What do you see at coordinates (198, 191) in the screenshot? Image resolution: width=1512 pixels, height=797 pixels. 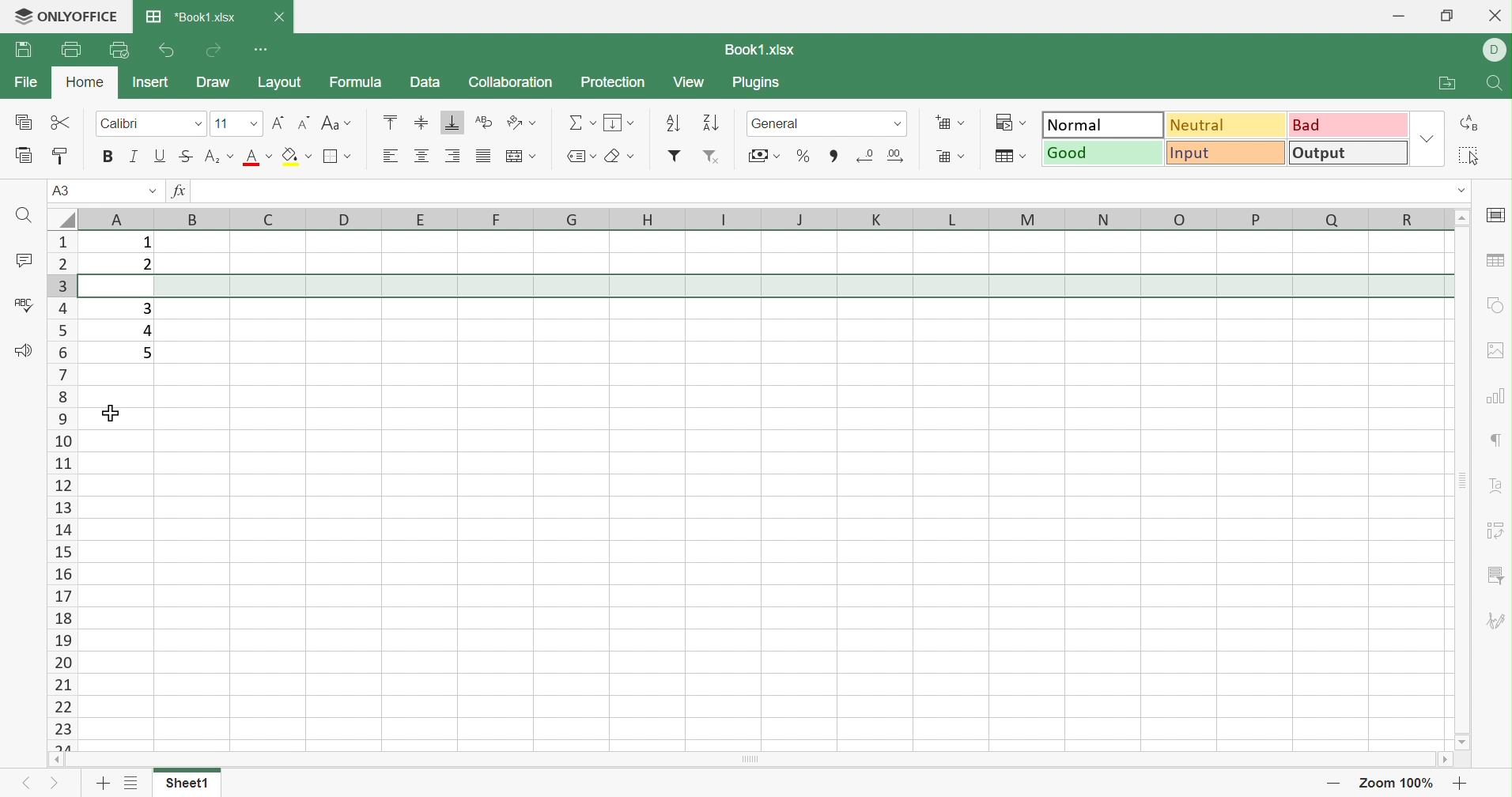 I see `1` at bounding box center [198, 191].